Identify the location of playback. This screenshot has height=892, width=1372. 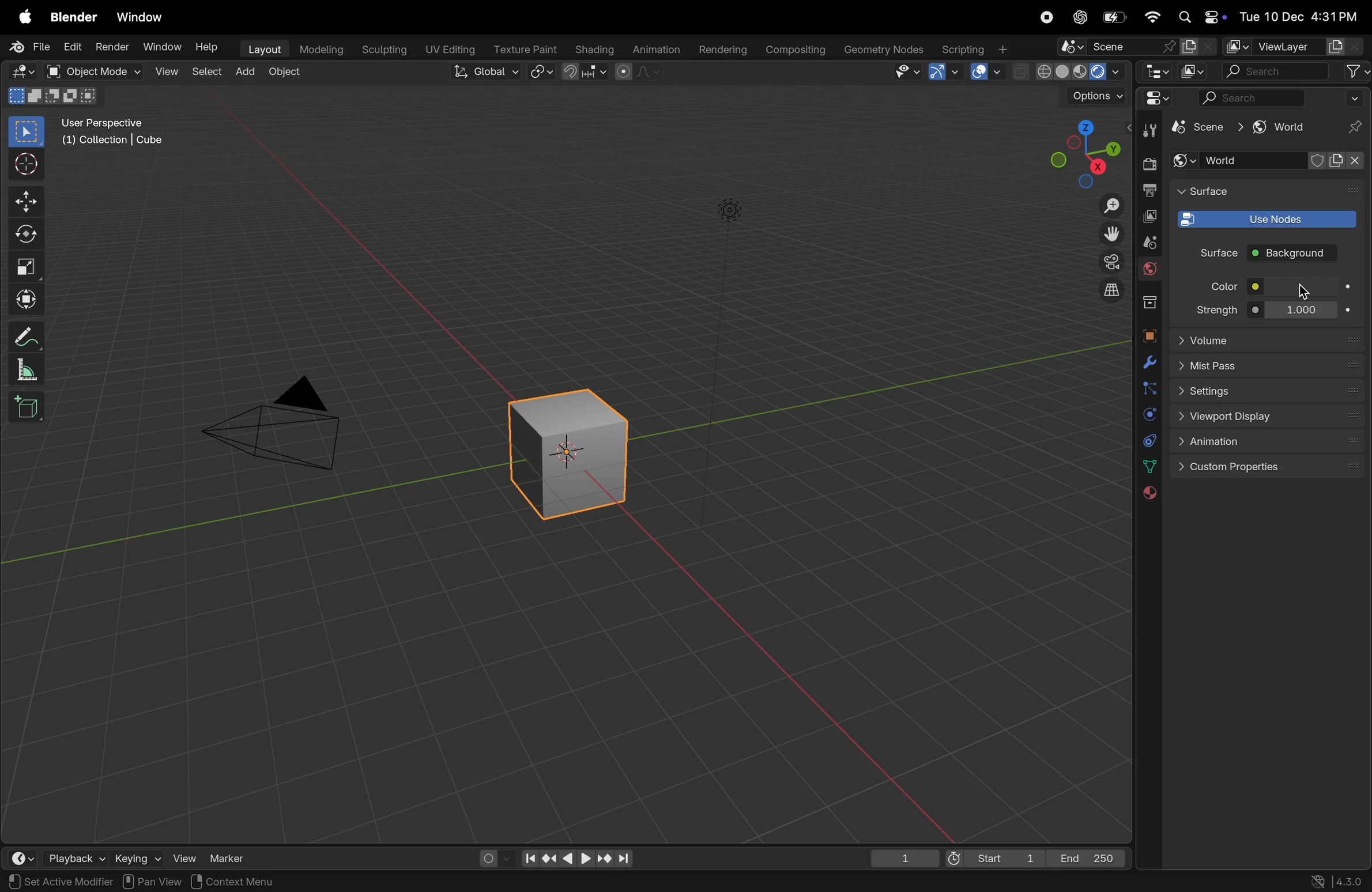
(71, 856).